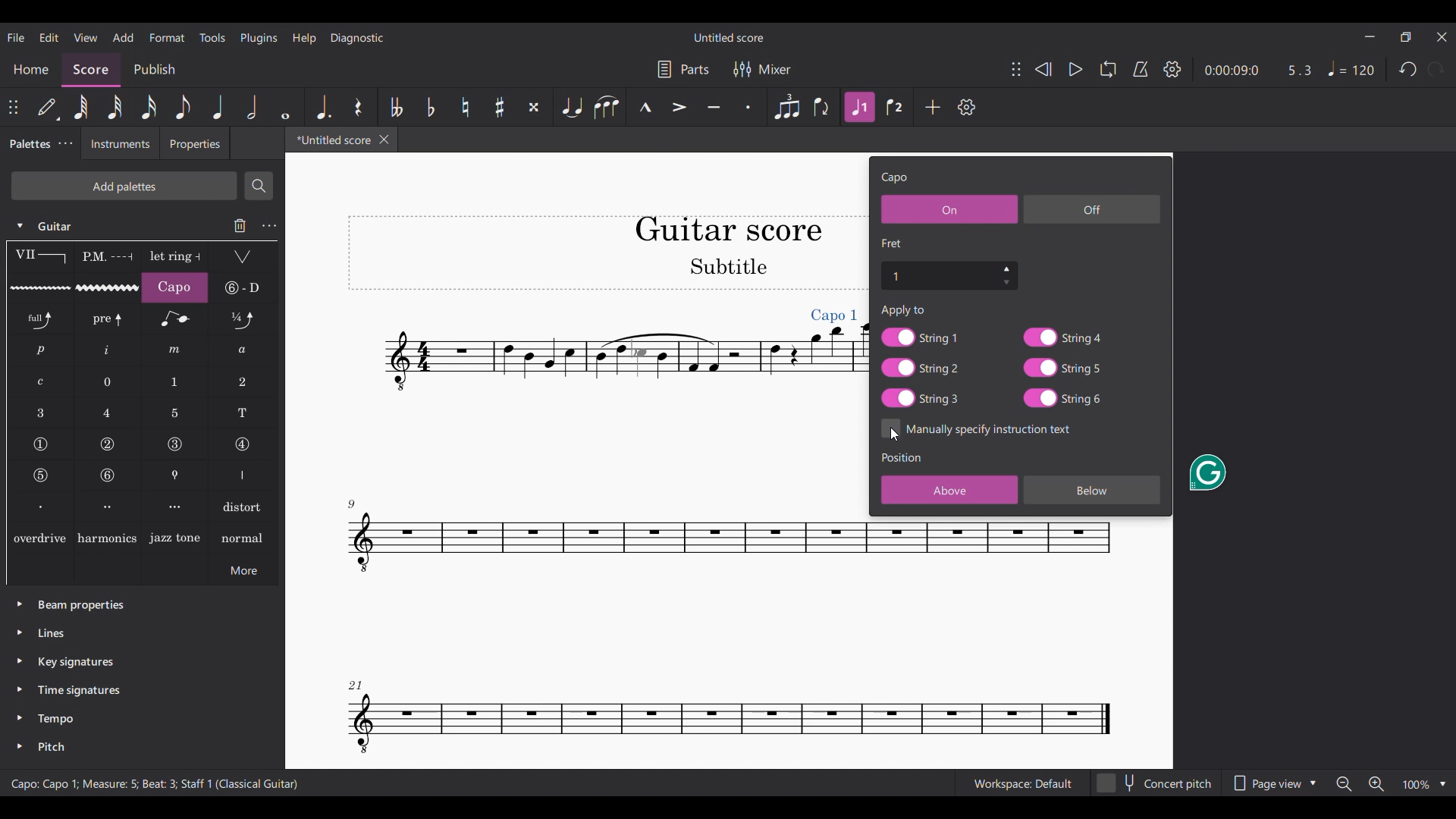  What do you see at coordinates (155, 783) in the screenshot?
I see `Description of current selection` at bounding box center [155, 783].